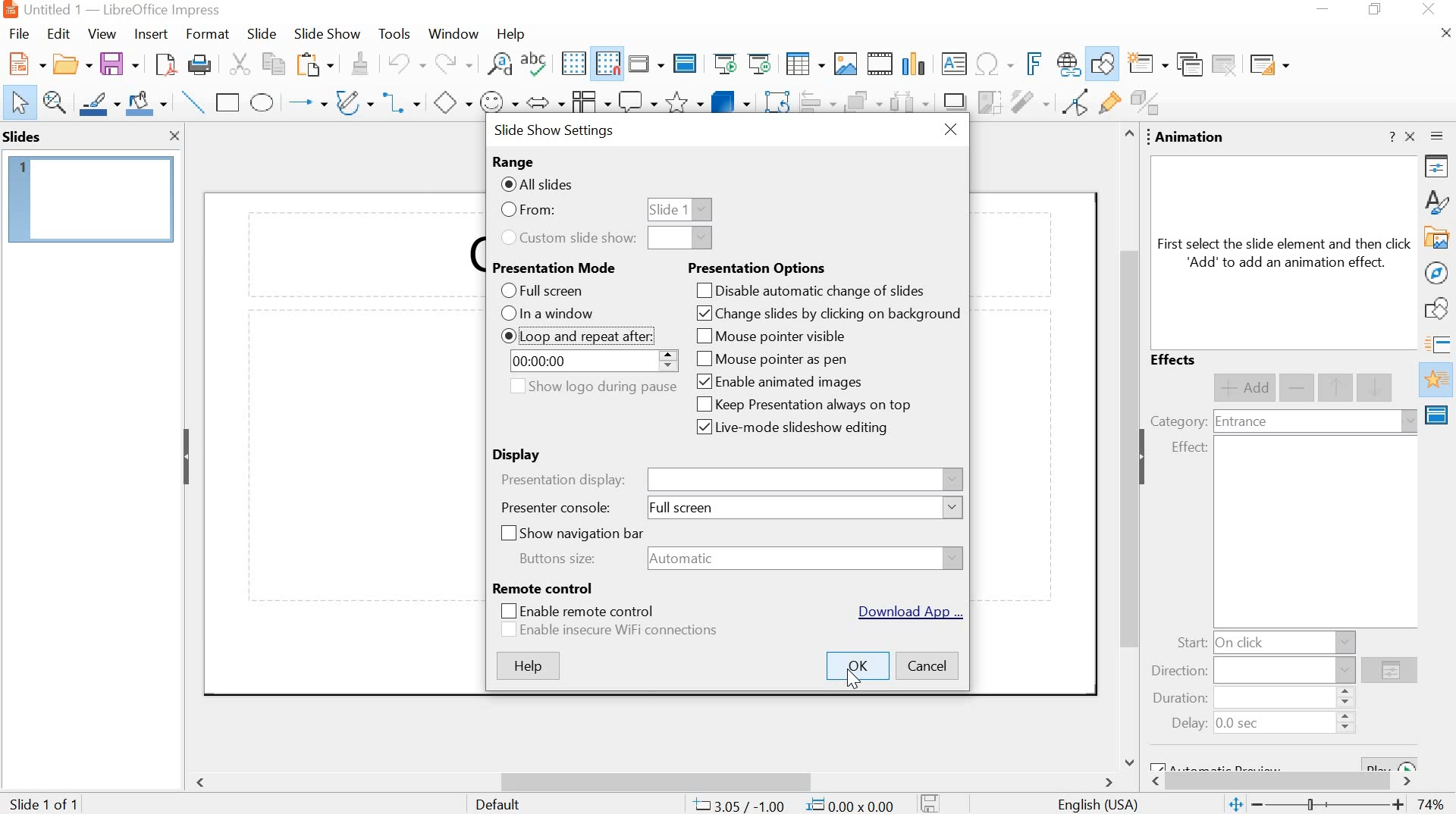 The height and width of the screenshot is (814, 1456). What do you see at coordinates (92, 199) in the screenshot?
I see `slide 1` at bounding box center [92, 199].